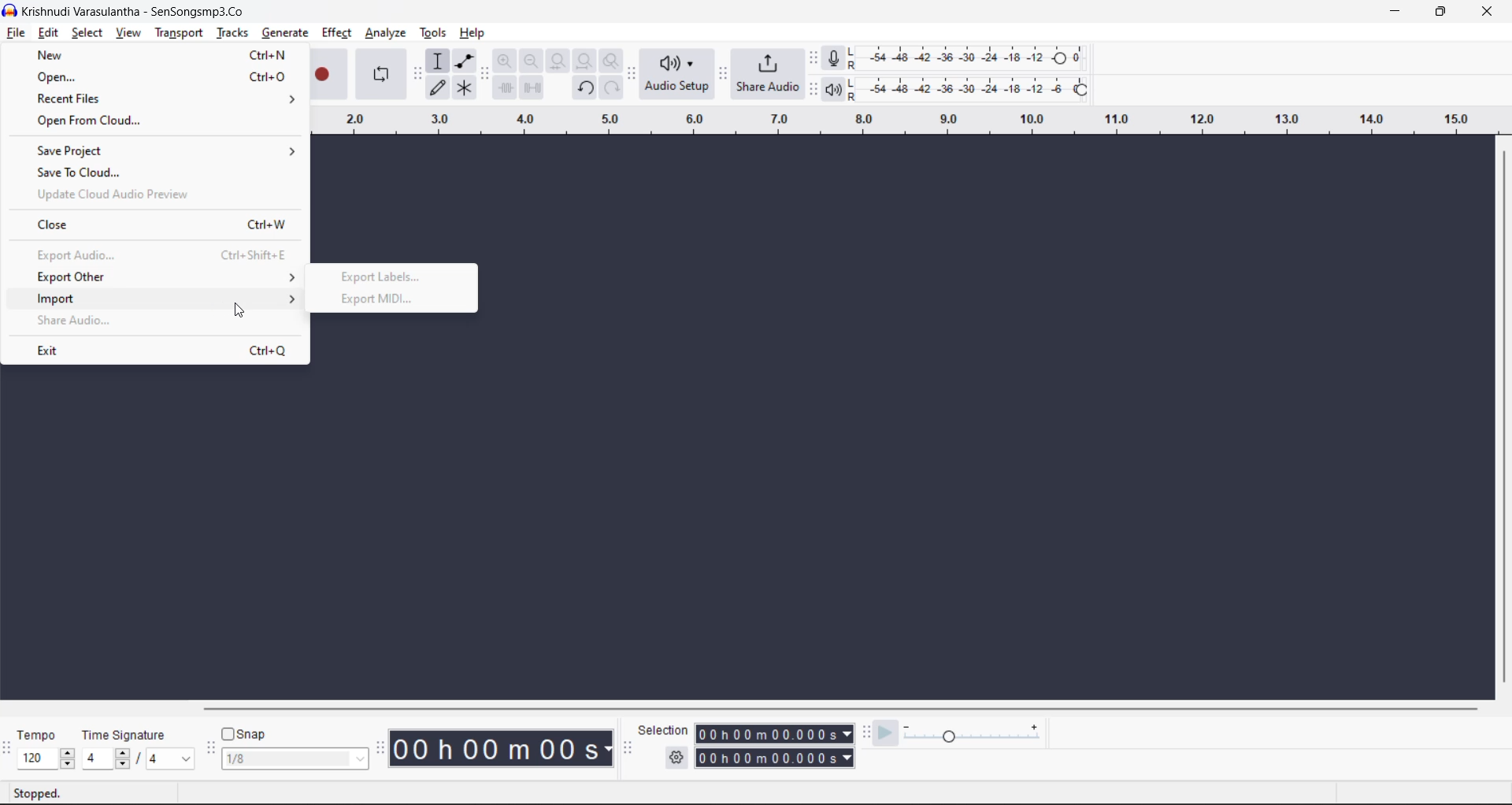 This screenshot has height=805, width=1512. I want to click on beats per measure, so click(138, 757).